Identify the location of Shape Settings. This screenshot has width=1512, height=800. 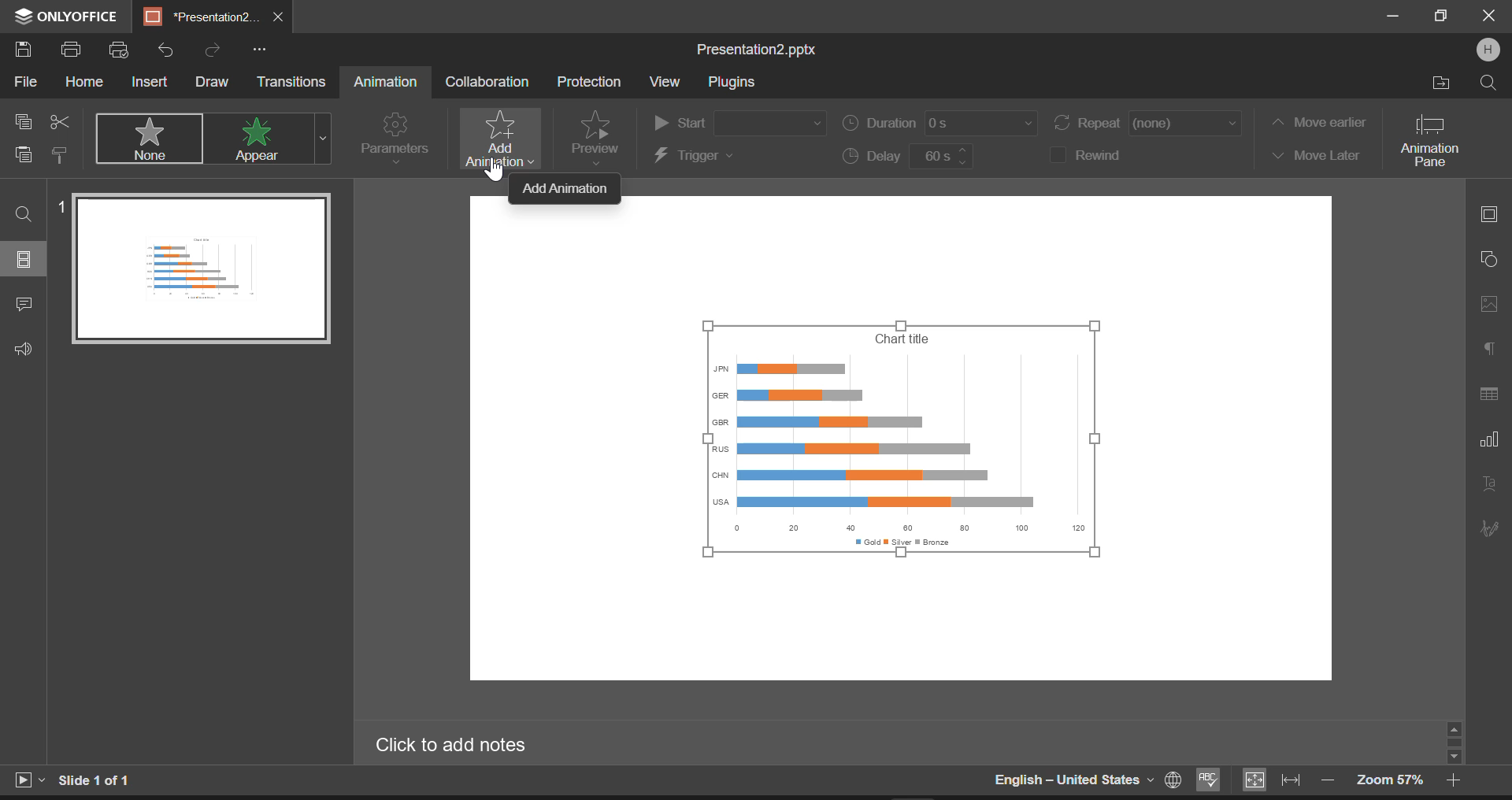
(1488, 257).